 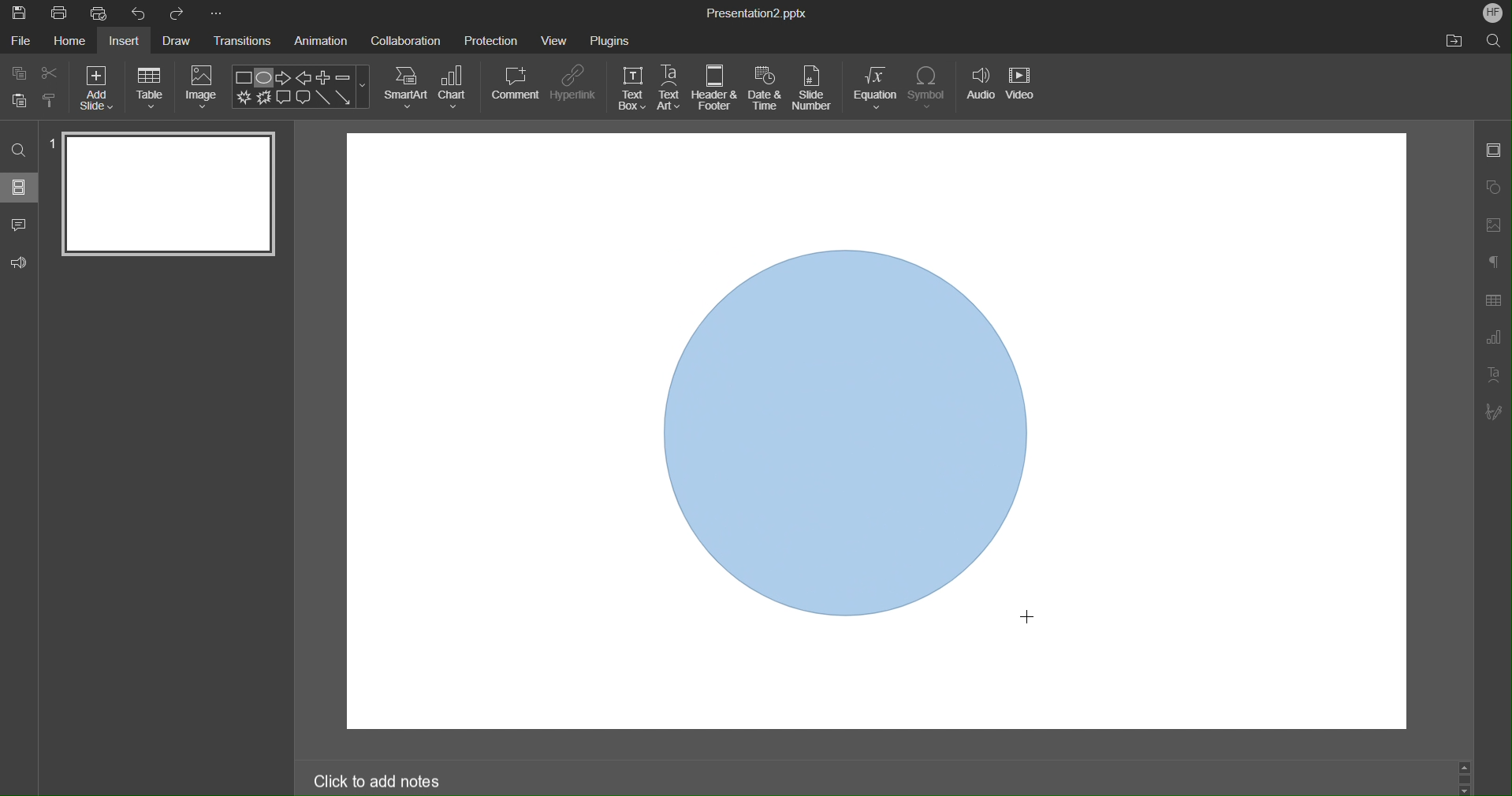 I want to click on workspace, so click(x=855, y=685).